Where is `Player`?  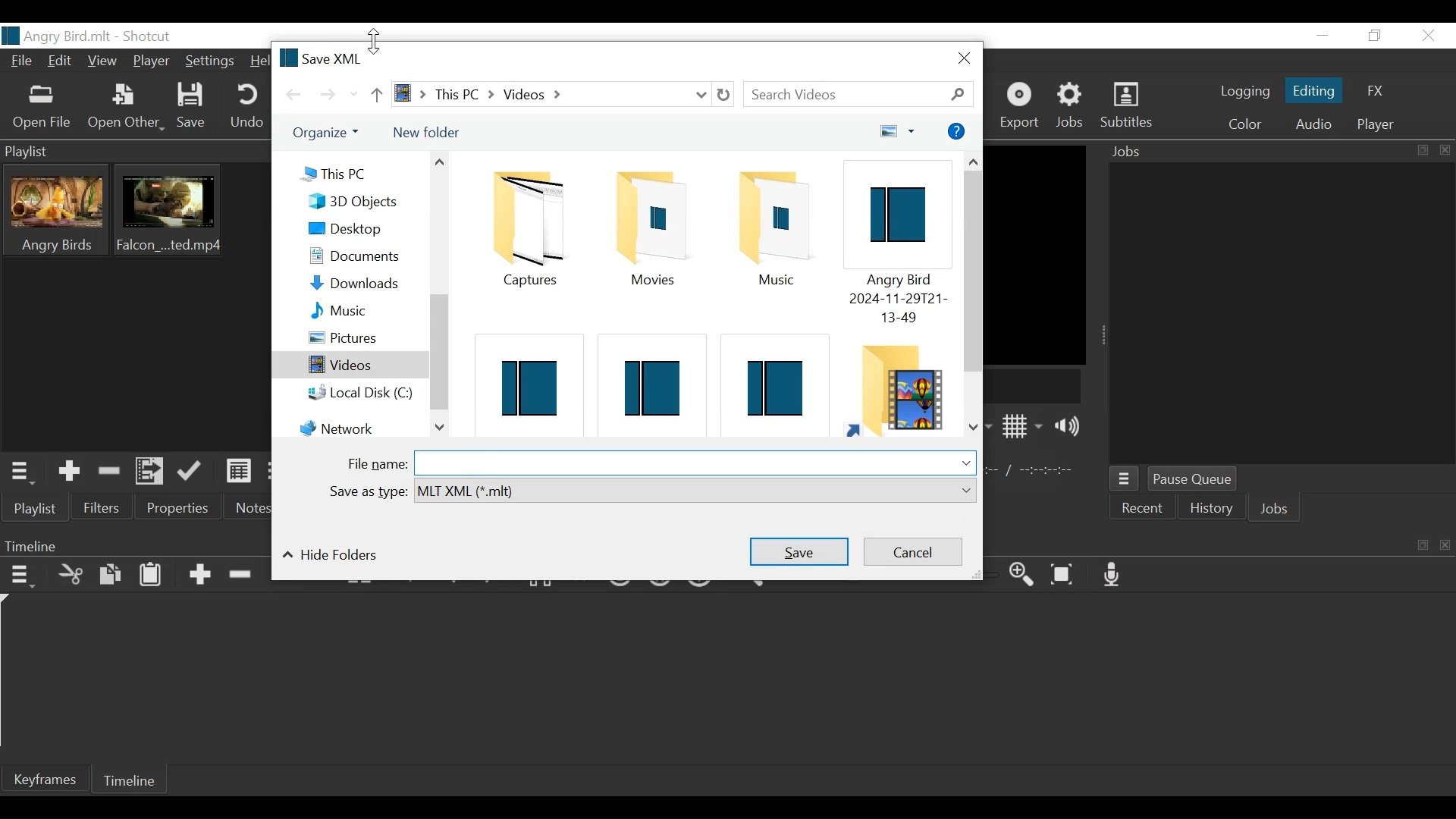
Player is located at coordinates (1373, 127).